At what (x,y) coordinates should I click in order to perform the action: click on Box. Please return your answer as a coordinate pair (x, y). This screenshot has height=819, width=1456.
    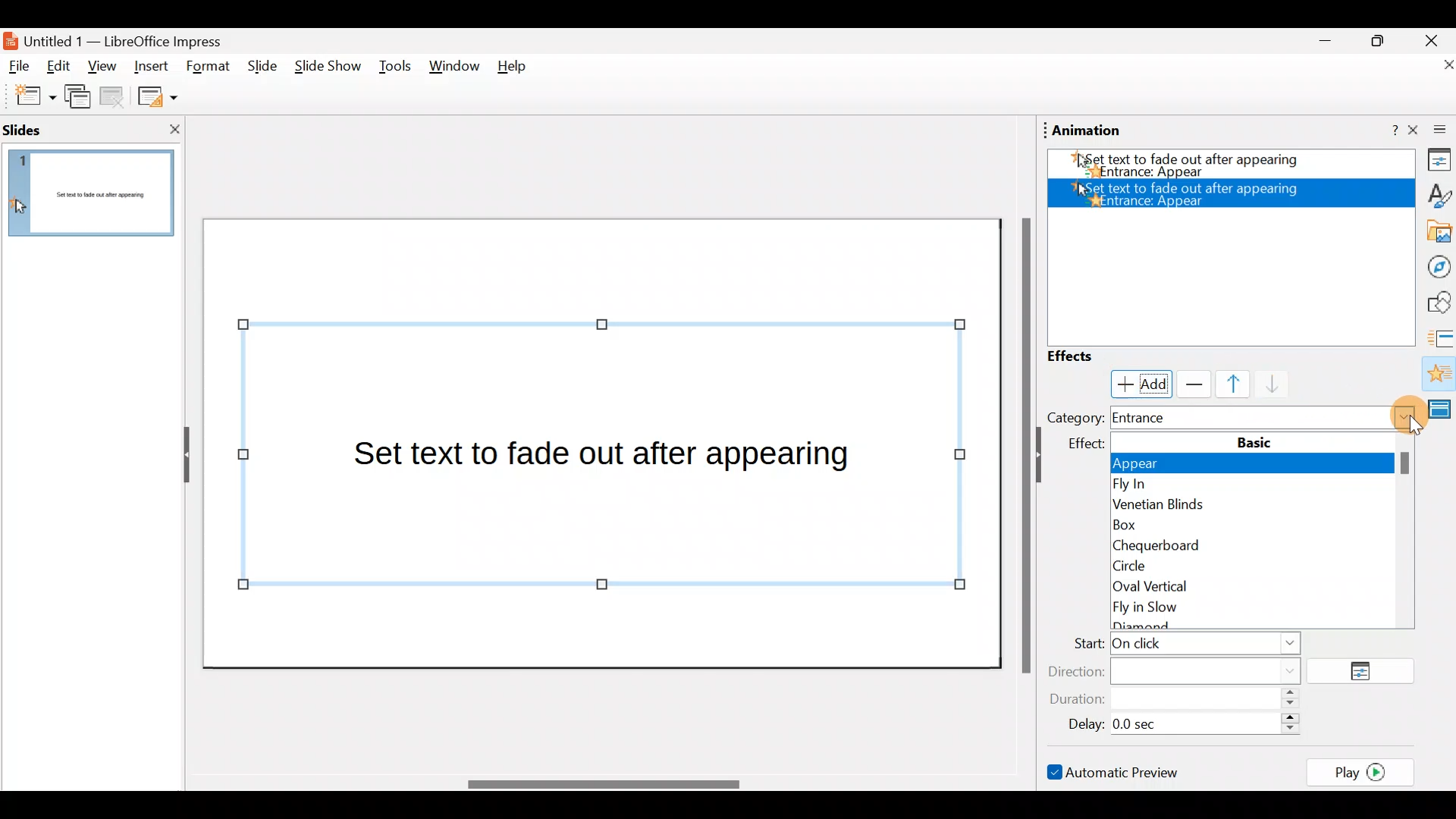
    Looking at the image, I should click on (1247, 525).